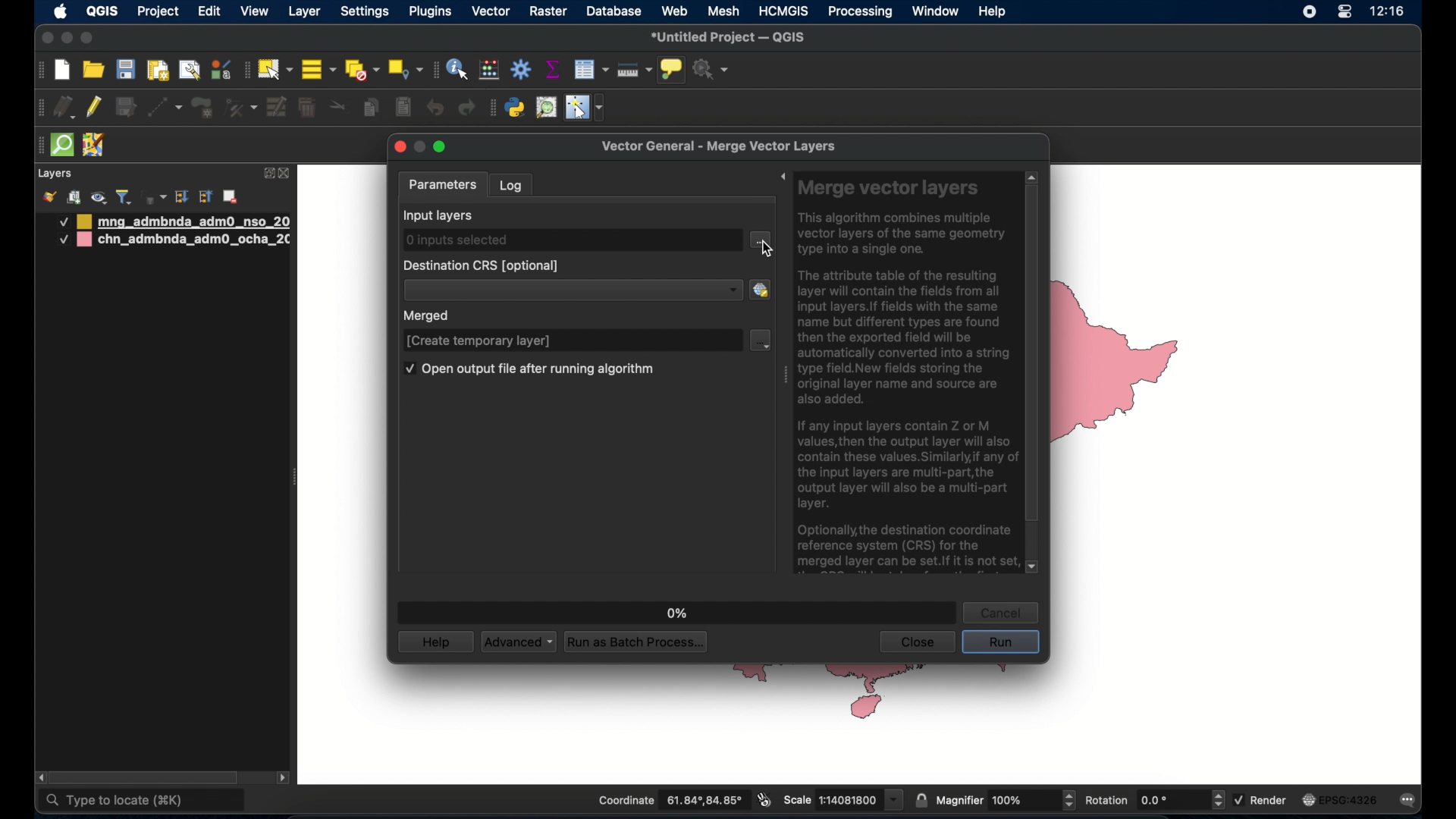 The height and width of the screenshot is (819, 1456). I want to click on cursor, so click(767, 252).